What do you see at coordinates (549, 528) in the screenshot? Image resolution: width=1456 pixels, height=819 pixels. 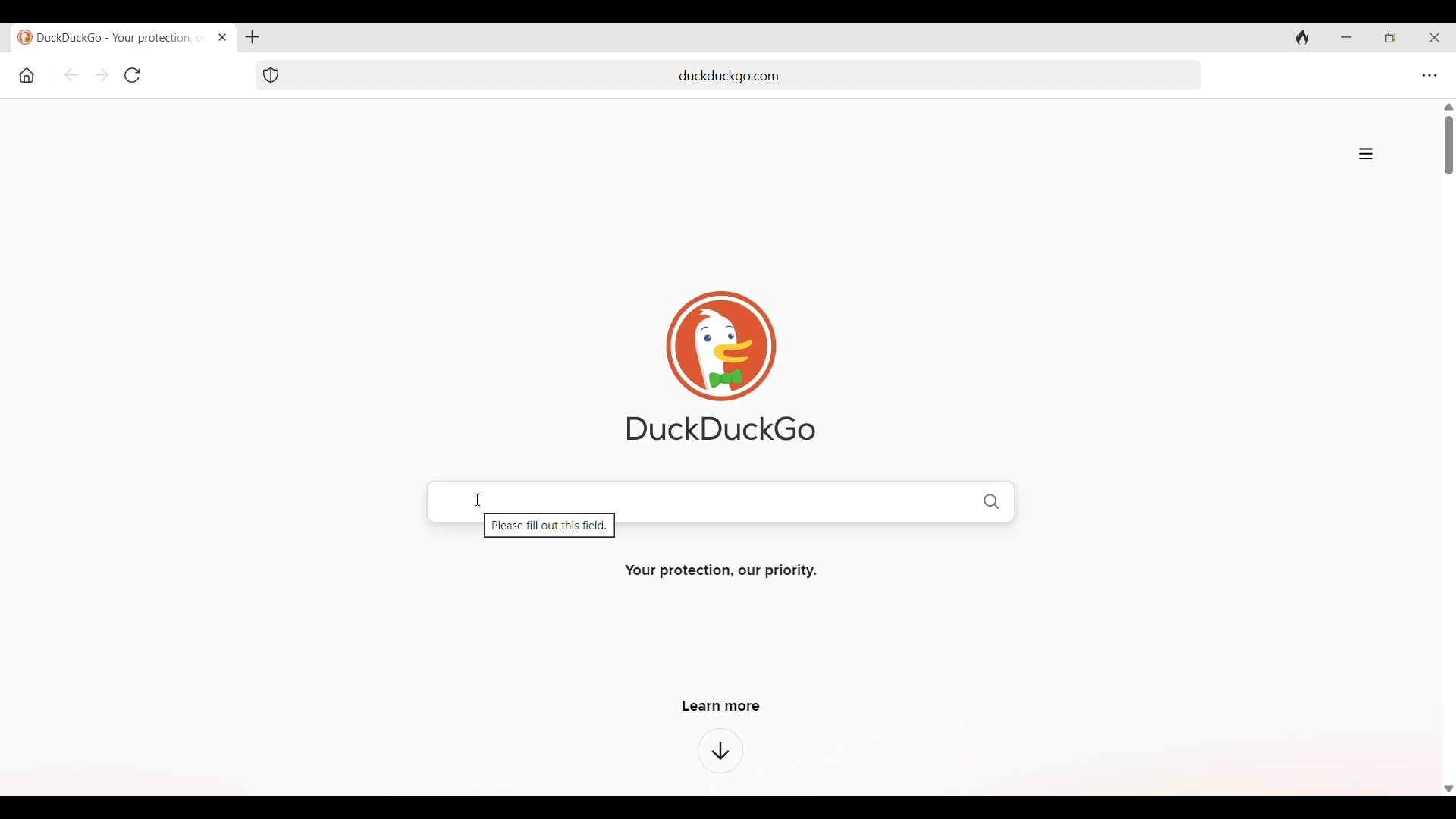 I see `Please fill out this field` at bounding box center [549, 528].